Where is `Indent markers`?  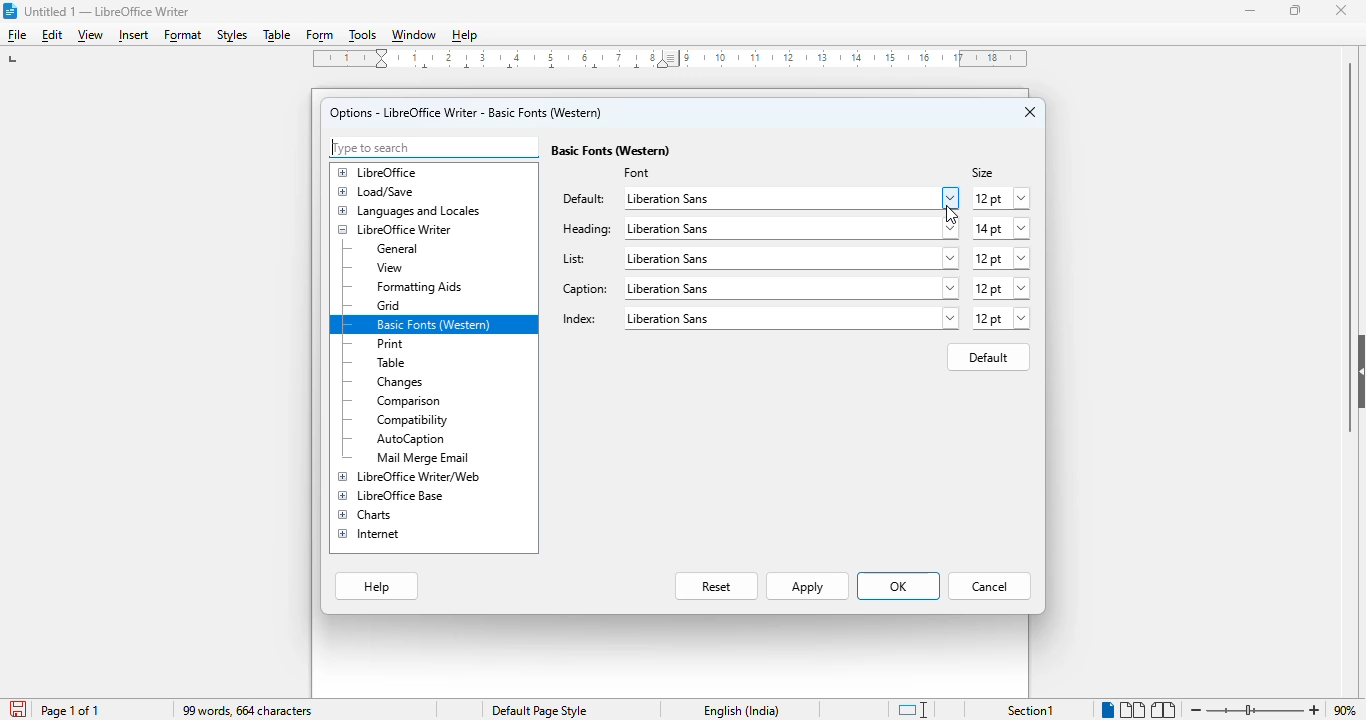 Indent markers is located at coordinates (382, 58).